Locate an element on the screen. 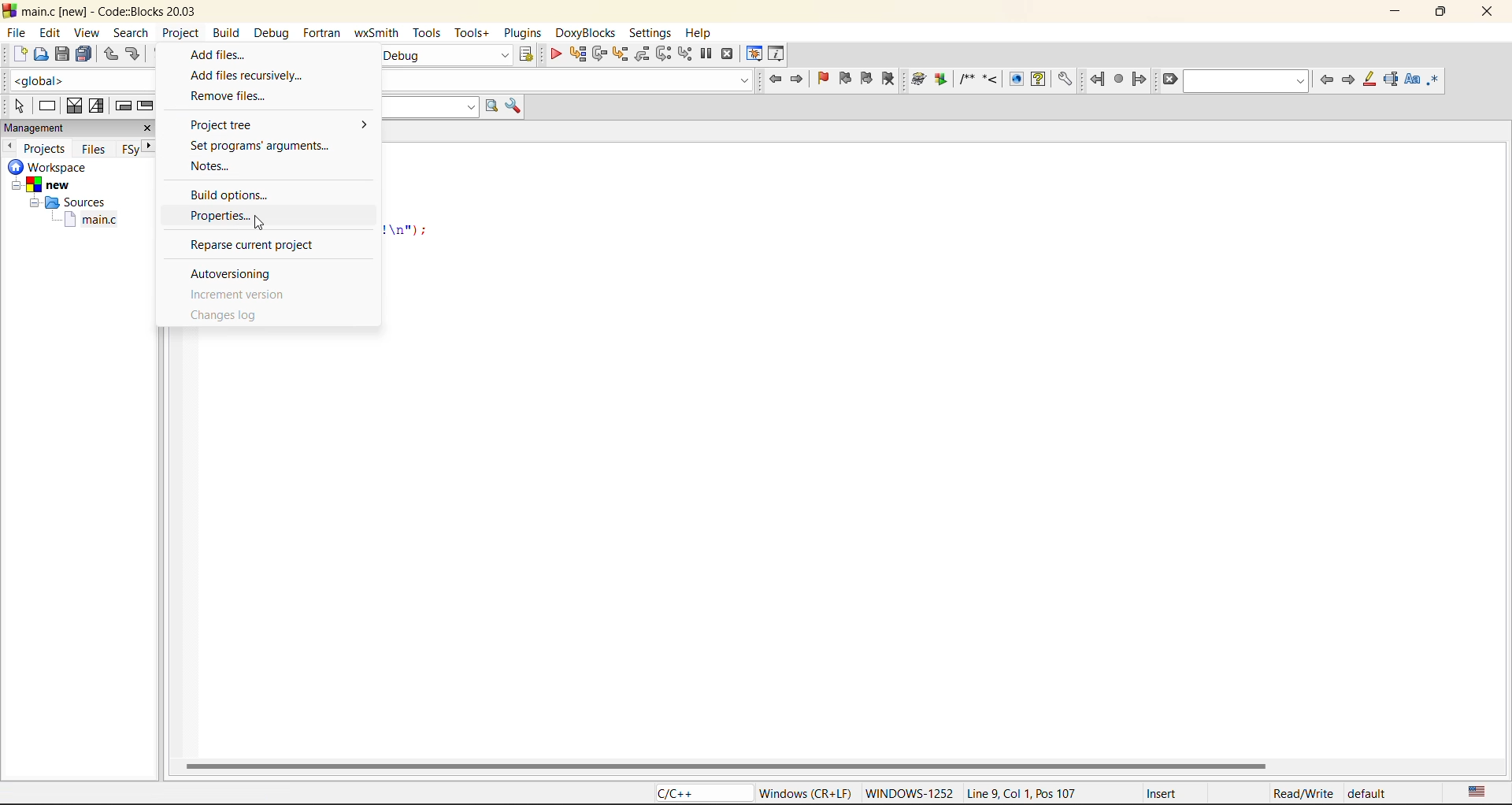 The width and height of the screenshot is (1512, 805). run search is located at coordinates (492, 107).